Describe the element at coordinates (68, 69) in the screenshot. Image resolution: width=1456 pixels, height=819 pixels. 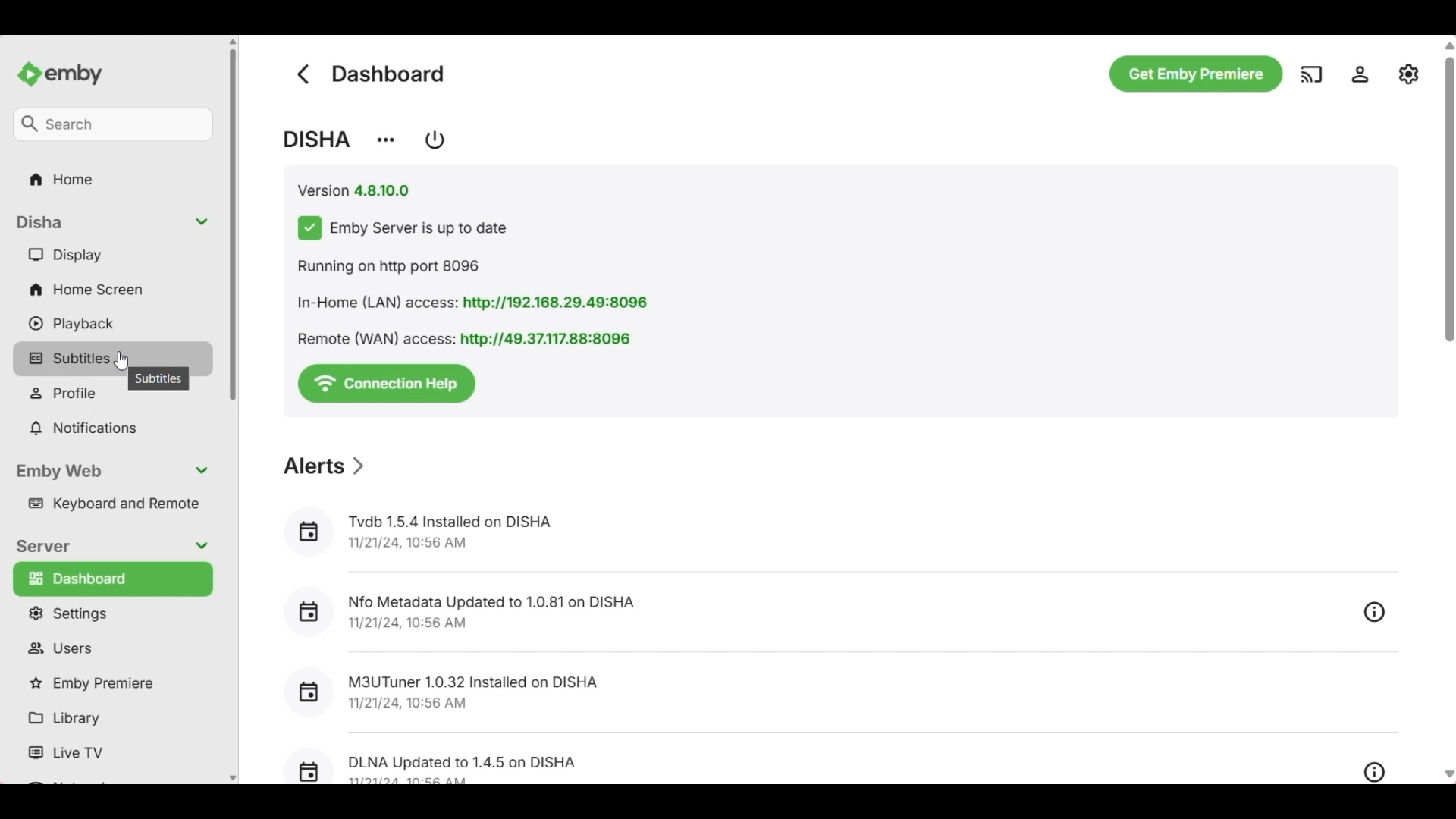
I see `` at that location.